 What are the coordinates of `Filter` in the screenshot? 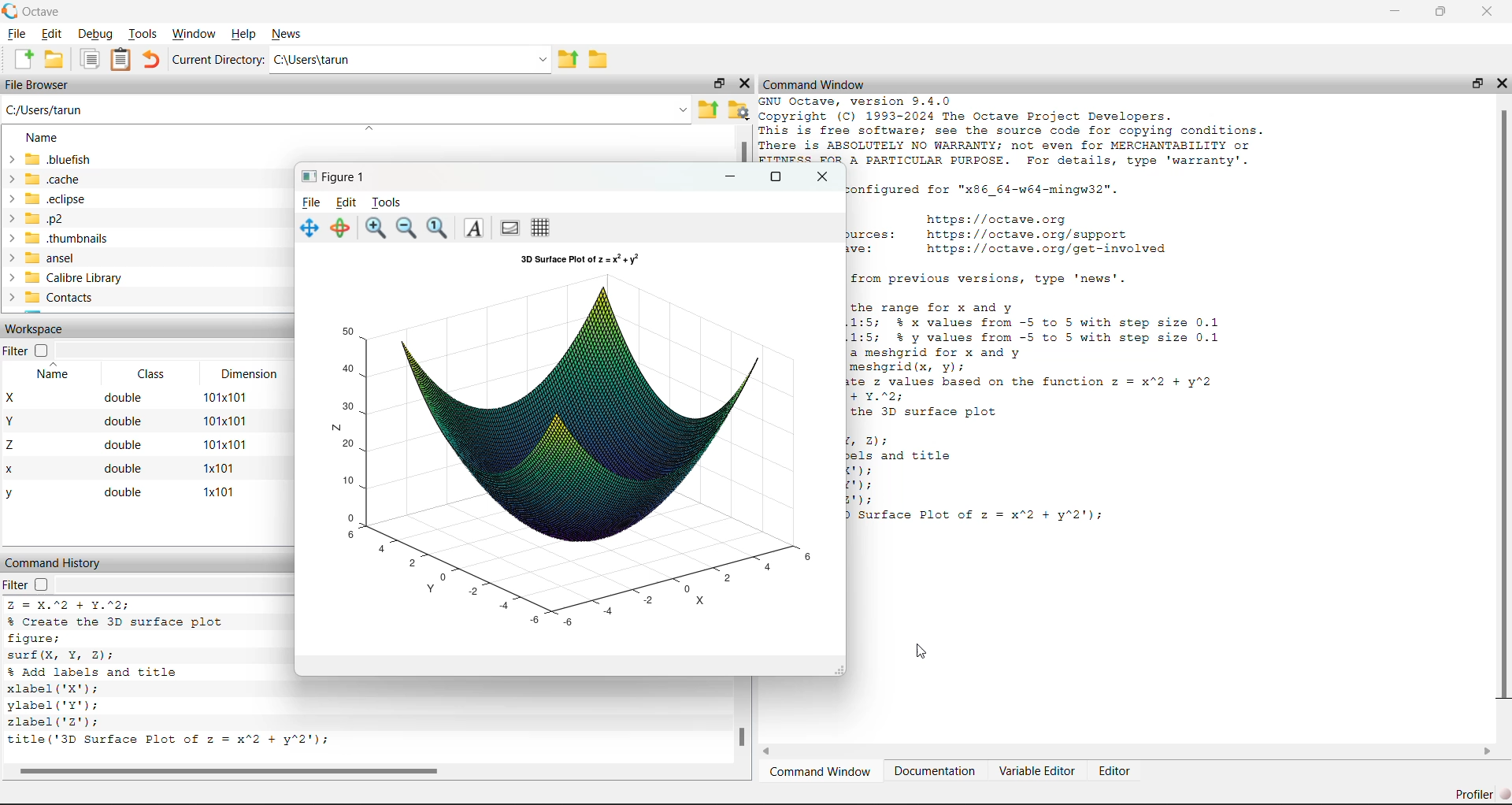 It's located at (16, 584).